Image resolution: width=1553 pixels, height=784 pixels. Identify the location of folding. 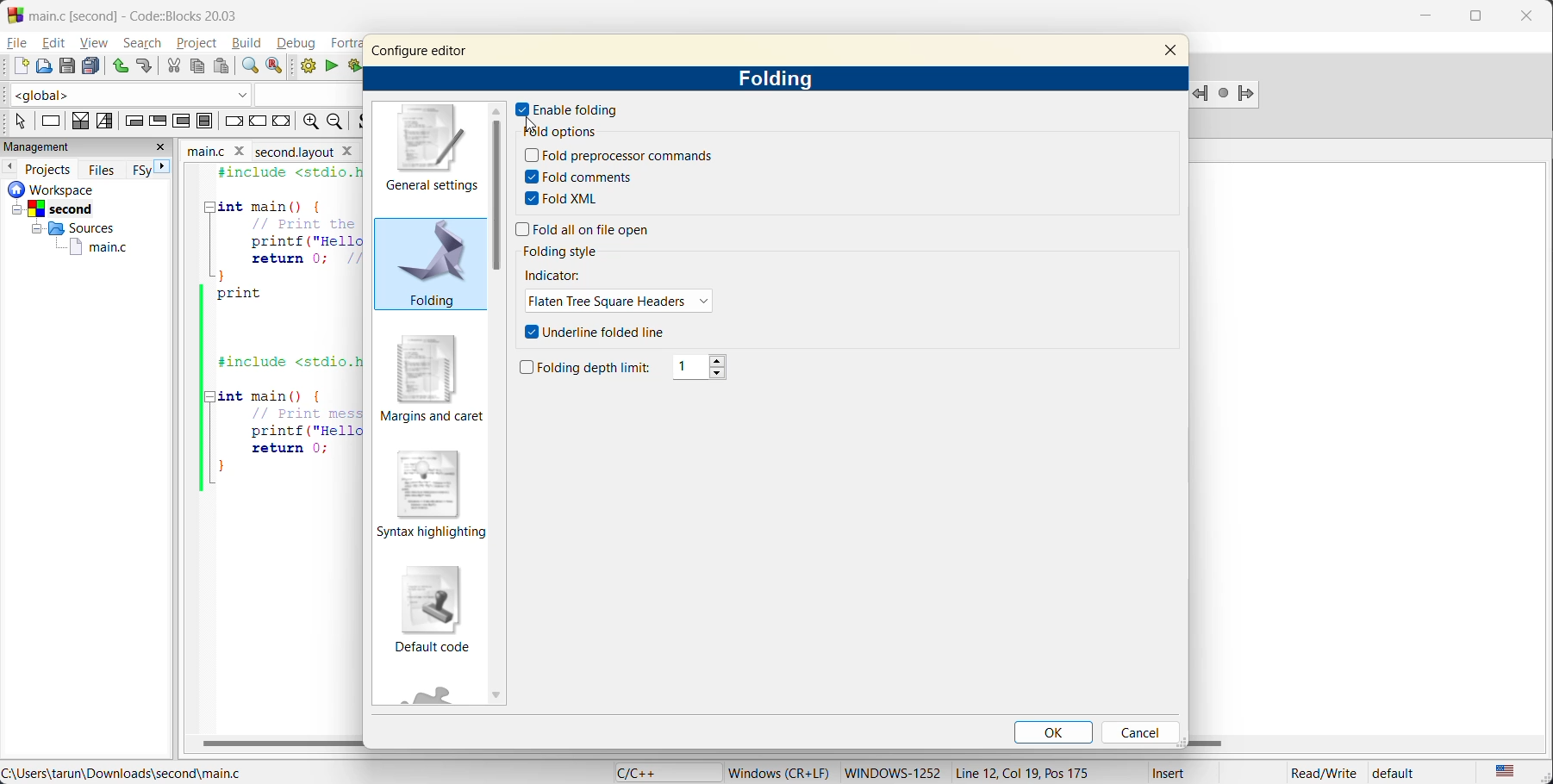
(427, 265).